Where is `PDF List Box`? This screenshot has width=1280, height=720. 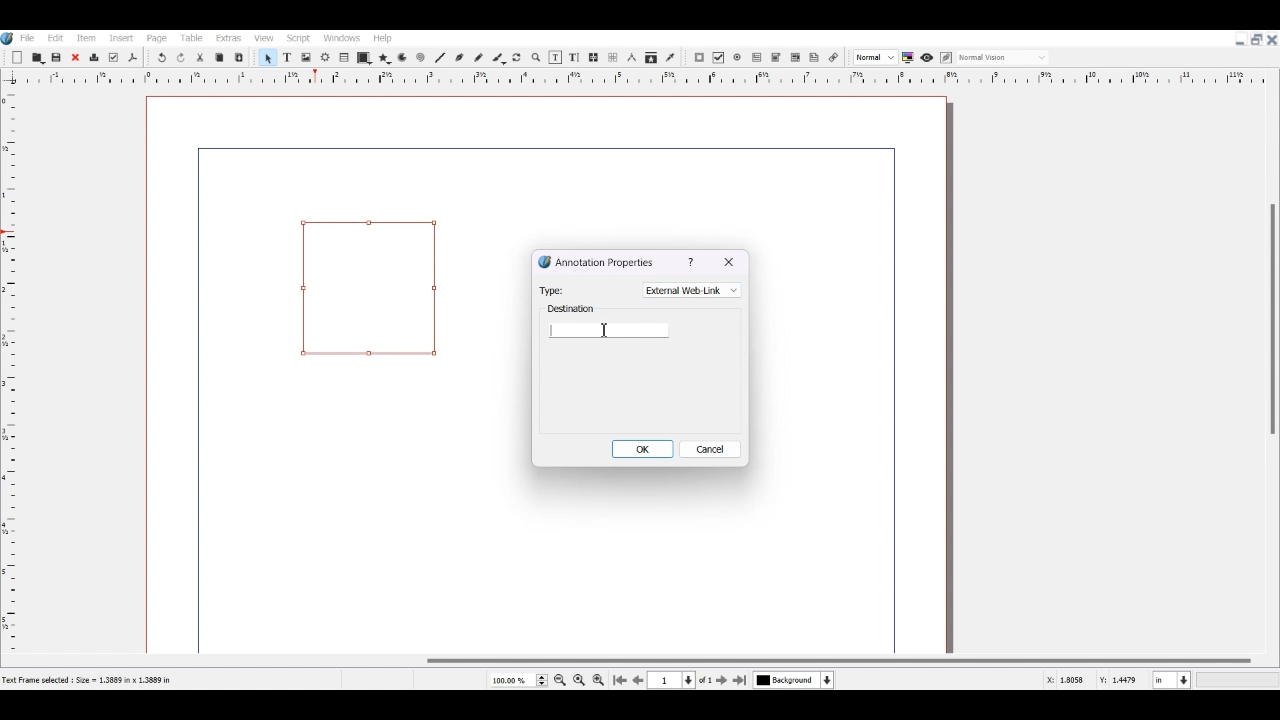 PDF List Box is located at coordinates (795, 58).